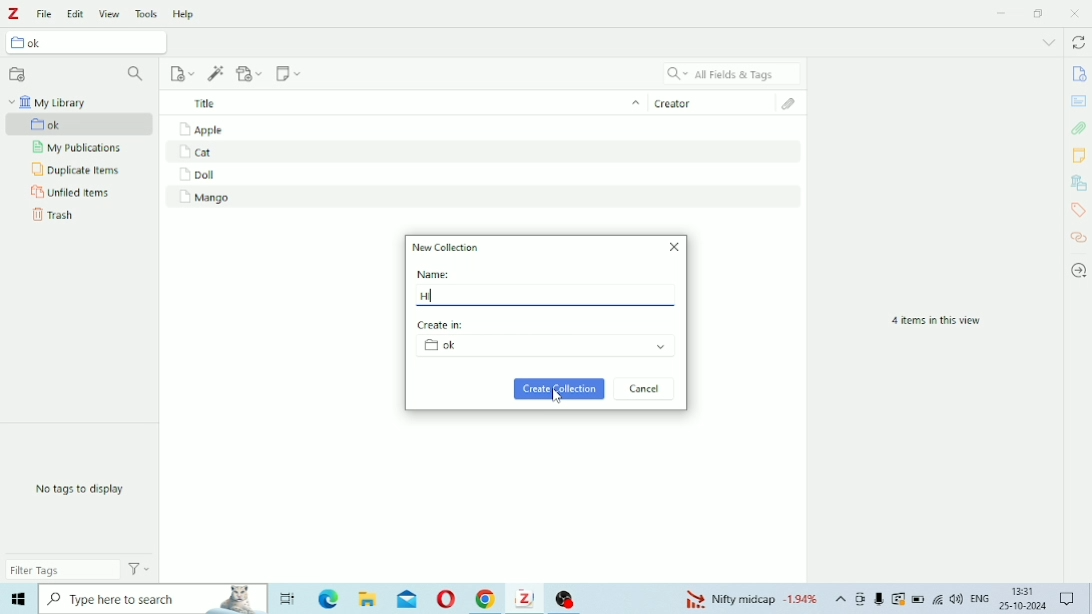 The height and width of the screenshot is (614, 1092). Describe the element at coordinates (645, 389) in the screenshot. I see `Cancel` at that location.